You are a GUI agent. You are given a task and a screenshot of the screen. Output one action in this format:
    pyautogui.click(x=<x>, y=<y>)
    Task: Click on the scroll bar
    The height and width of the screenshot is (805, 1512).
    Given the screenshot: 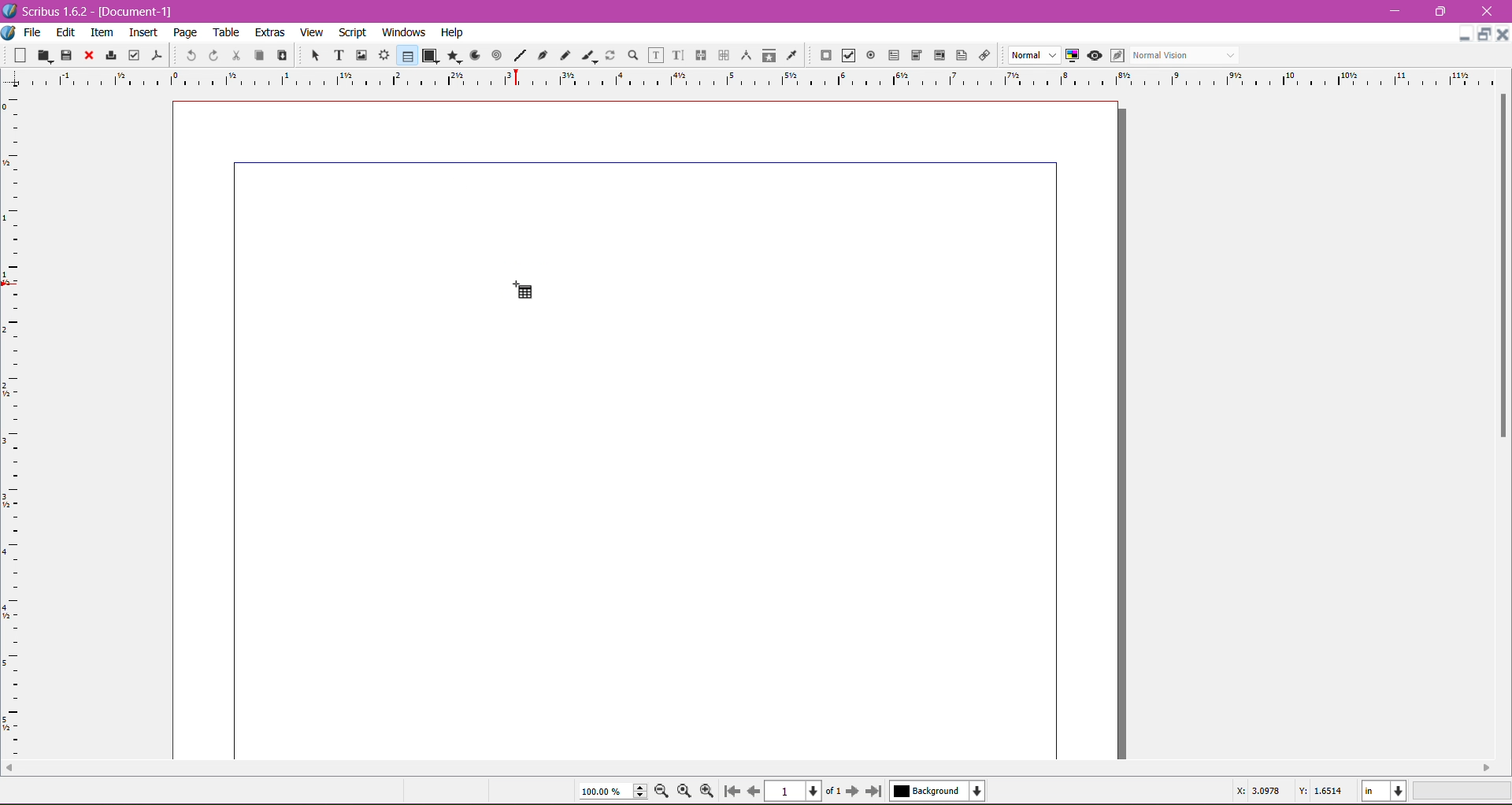 What is the action you would take?
    pyautogui.click(x=1503, y=428)
    